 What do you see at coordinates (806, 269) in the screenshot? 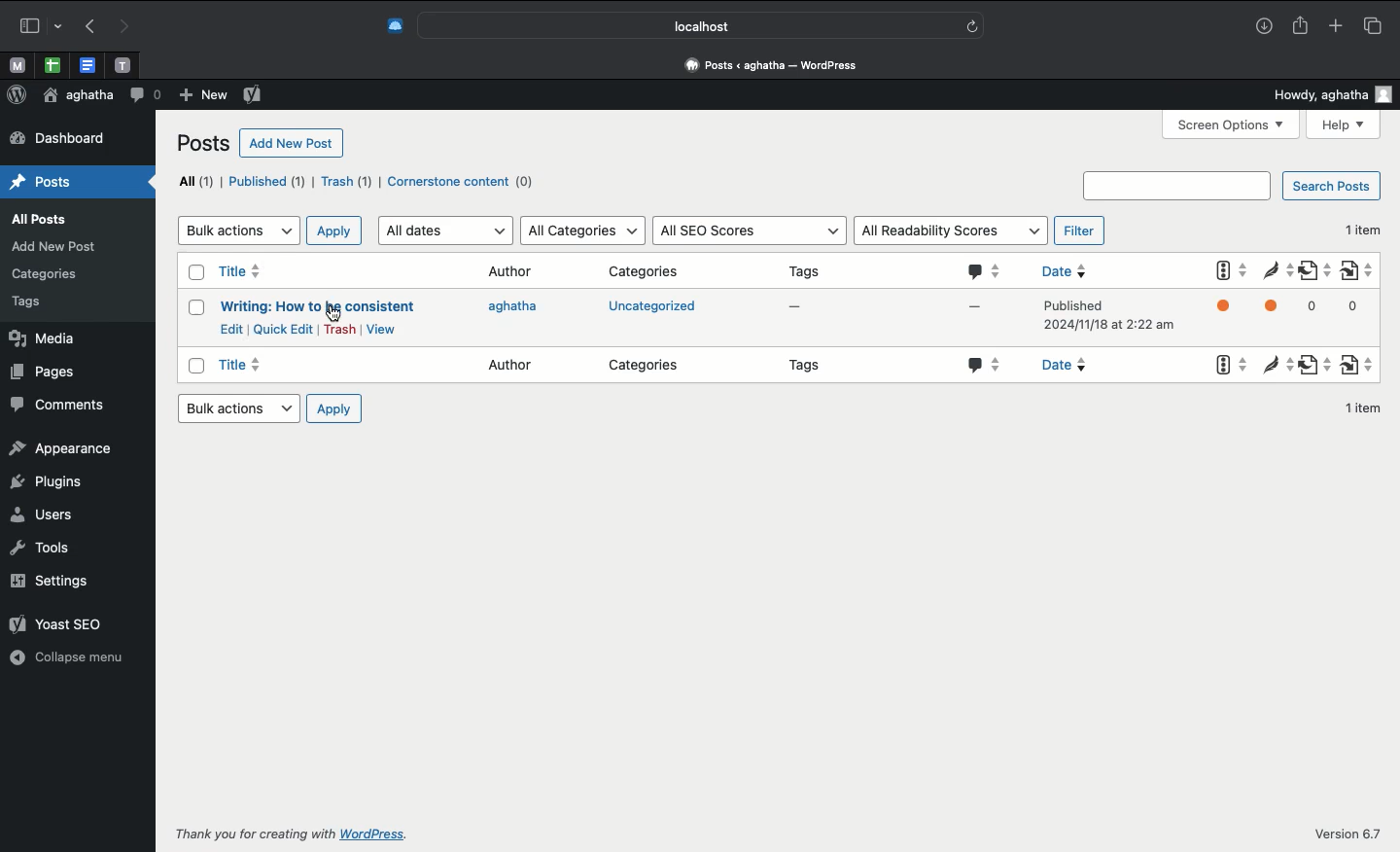
I see `Tags` at bounding box center [806, 269].